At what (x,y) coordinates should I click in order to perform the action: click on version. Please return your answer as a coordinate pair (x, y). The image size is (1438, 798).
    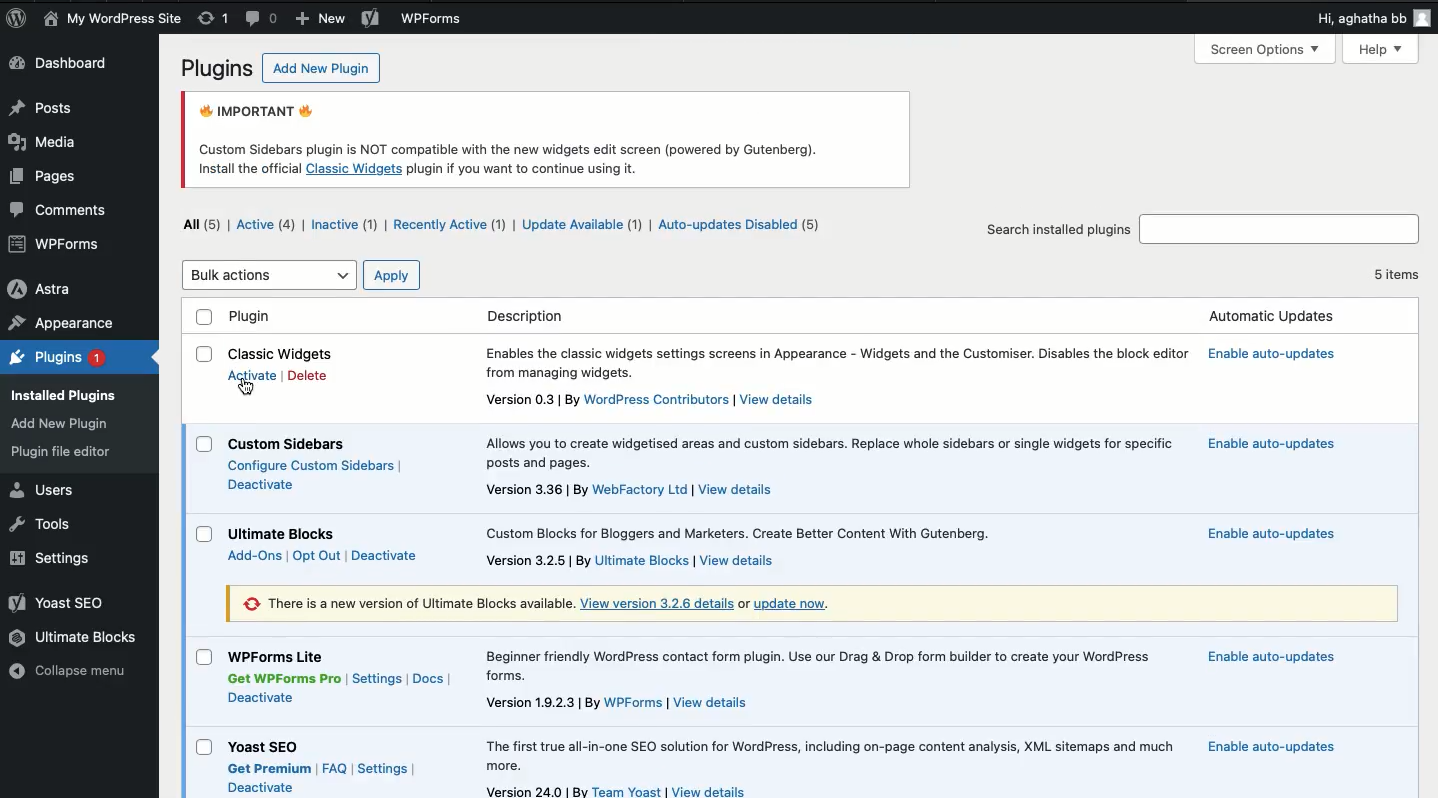
    Looking at the image, I should click on (537, 792).